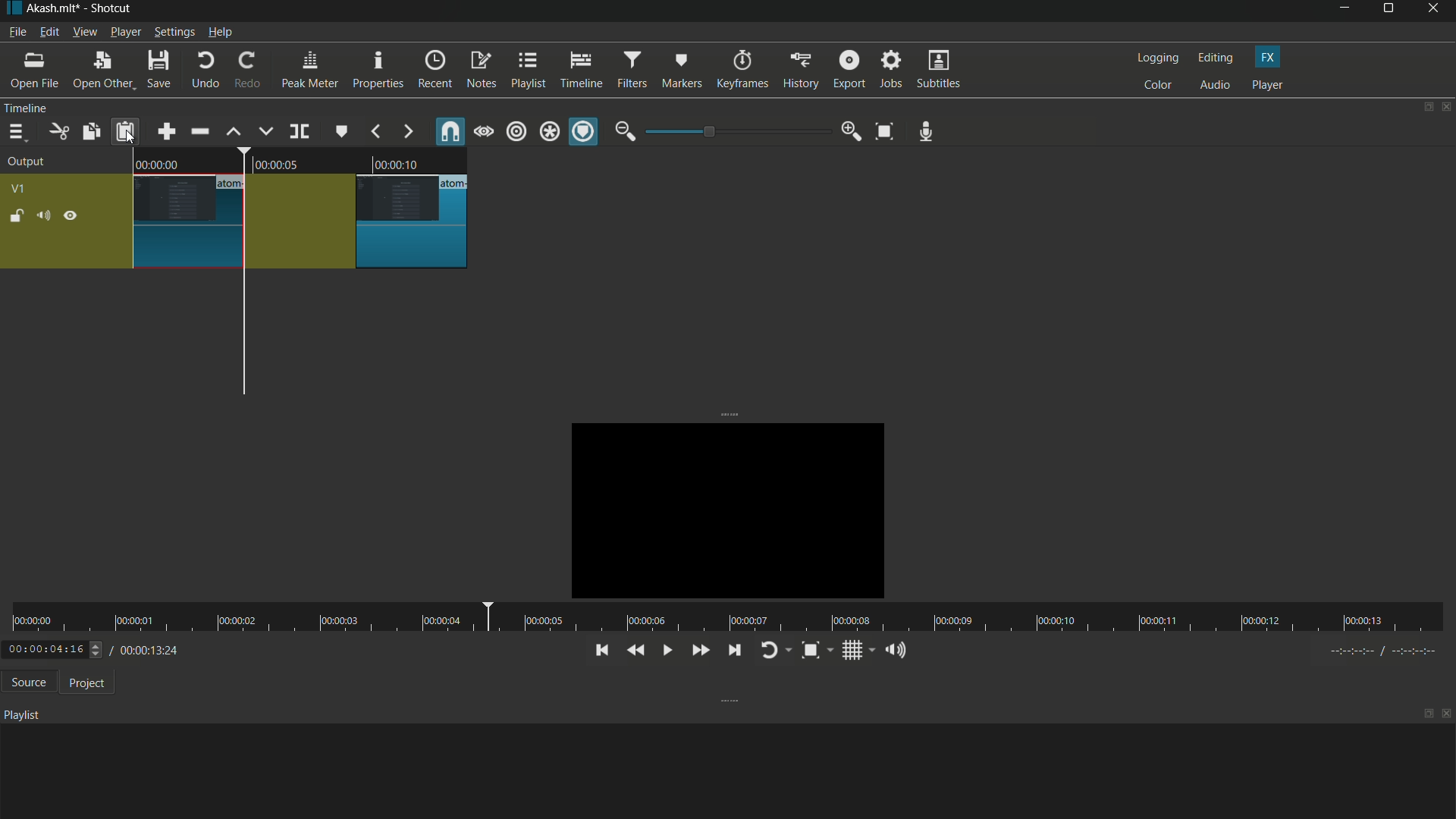  Describe the element at coordinates (130, 137) in the screenshot. I see `cursor` at that location.